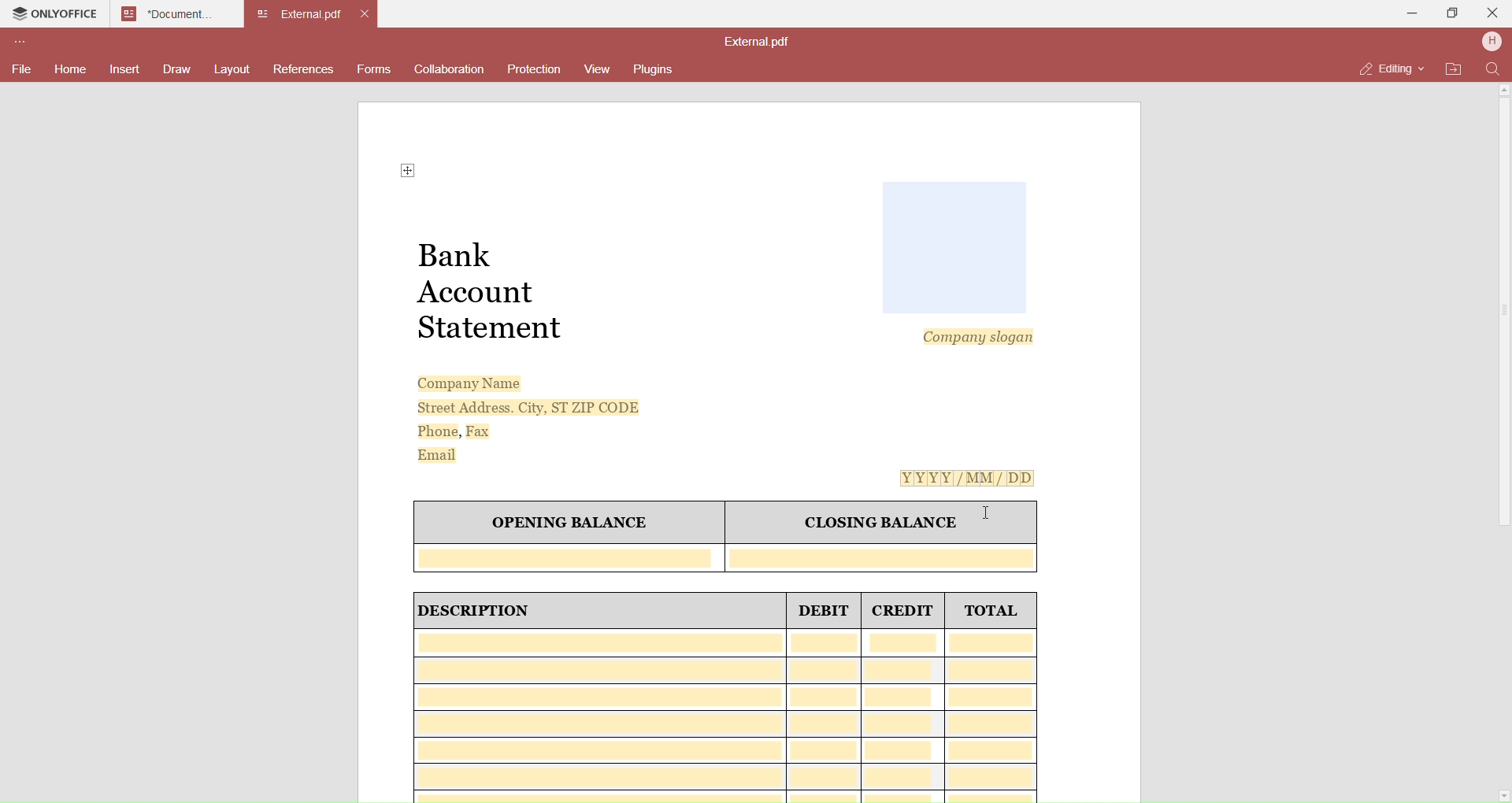 The image size is (1512, 803). I want to click on total cell, so click(994, 715).